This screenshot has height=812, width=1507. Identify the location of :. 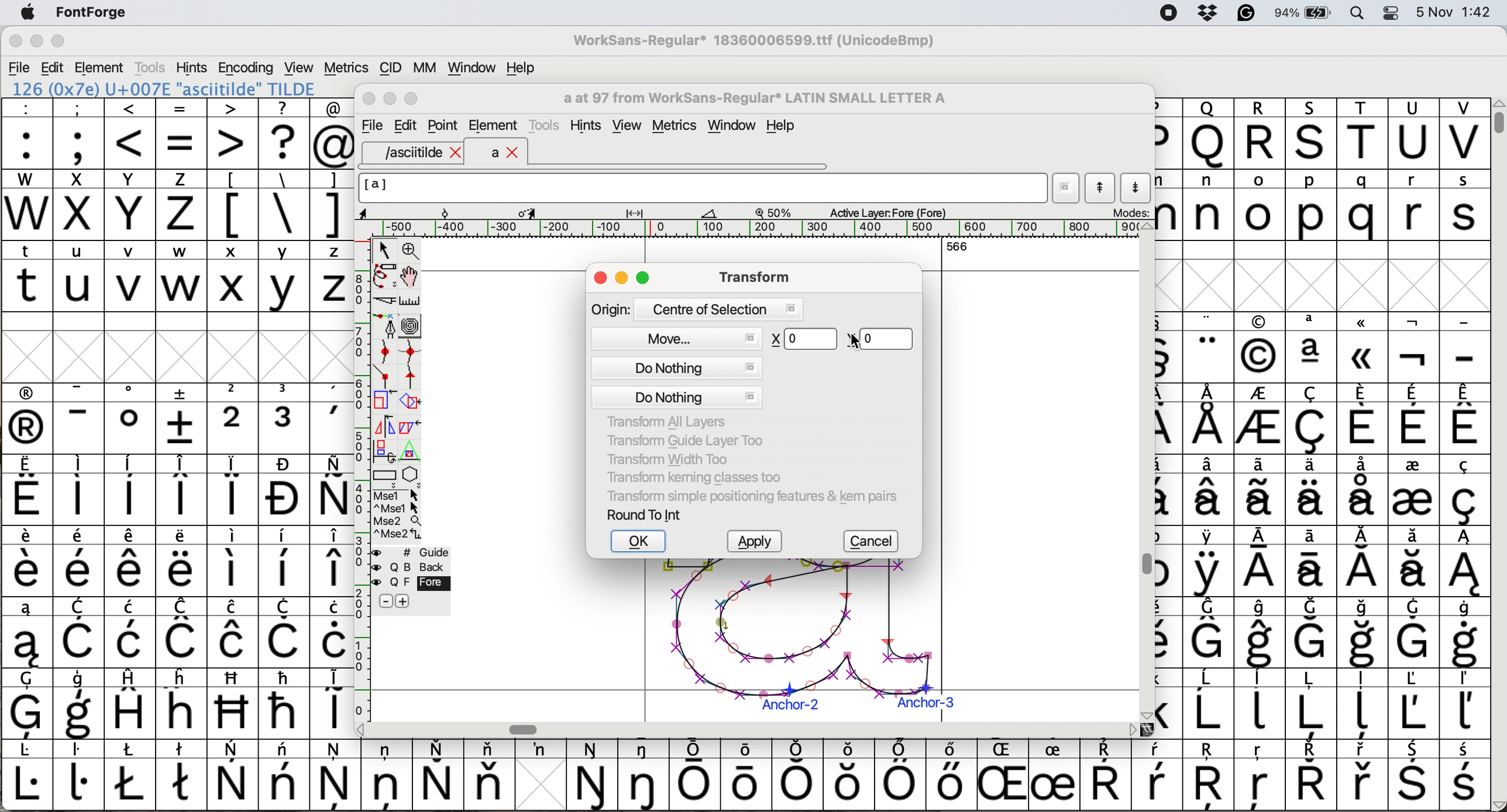
(28, 134).